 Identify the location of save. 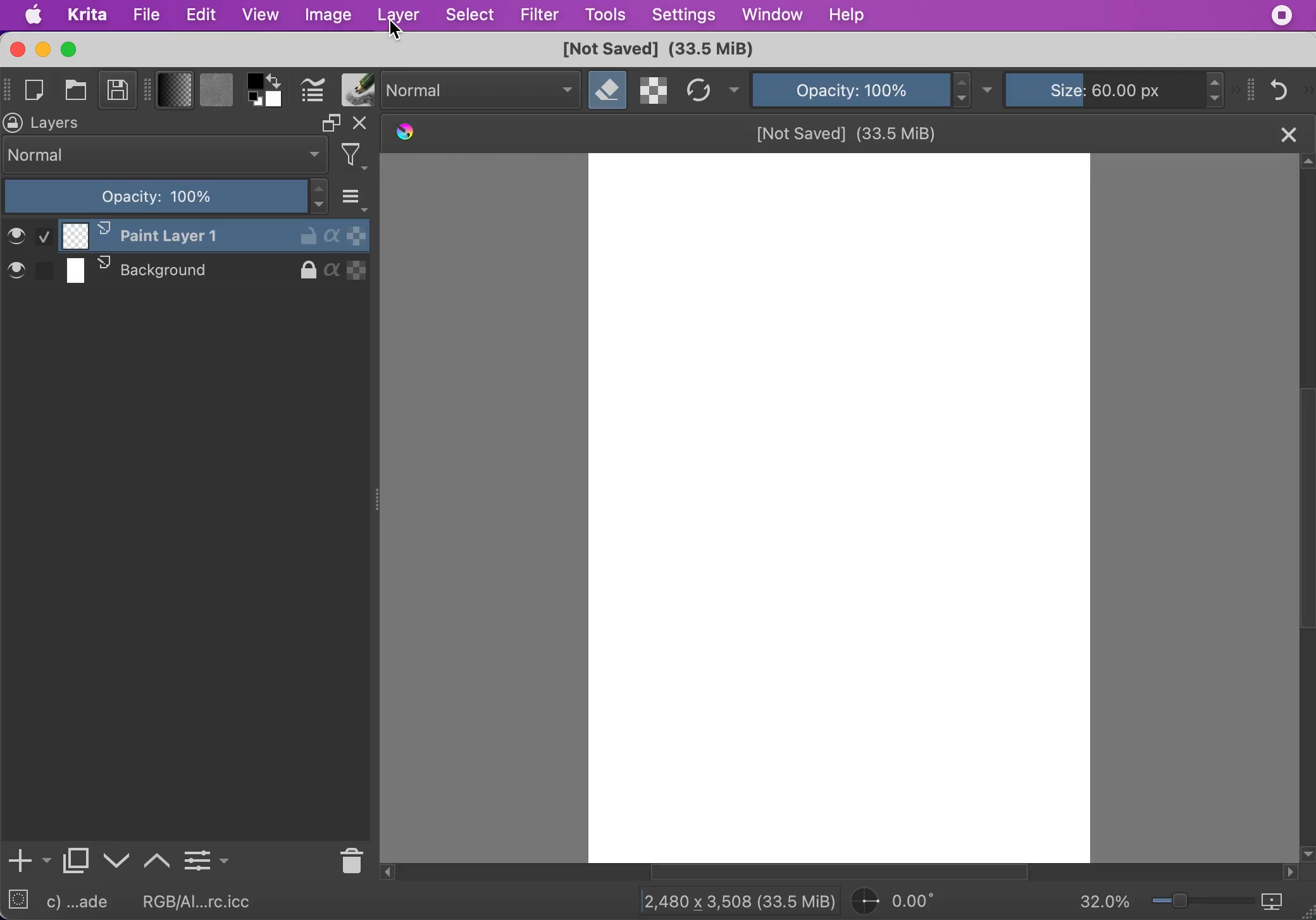
(118, 92).